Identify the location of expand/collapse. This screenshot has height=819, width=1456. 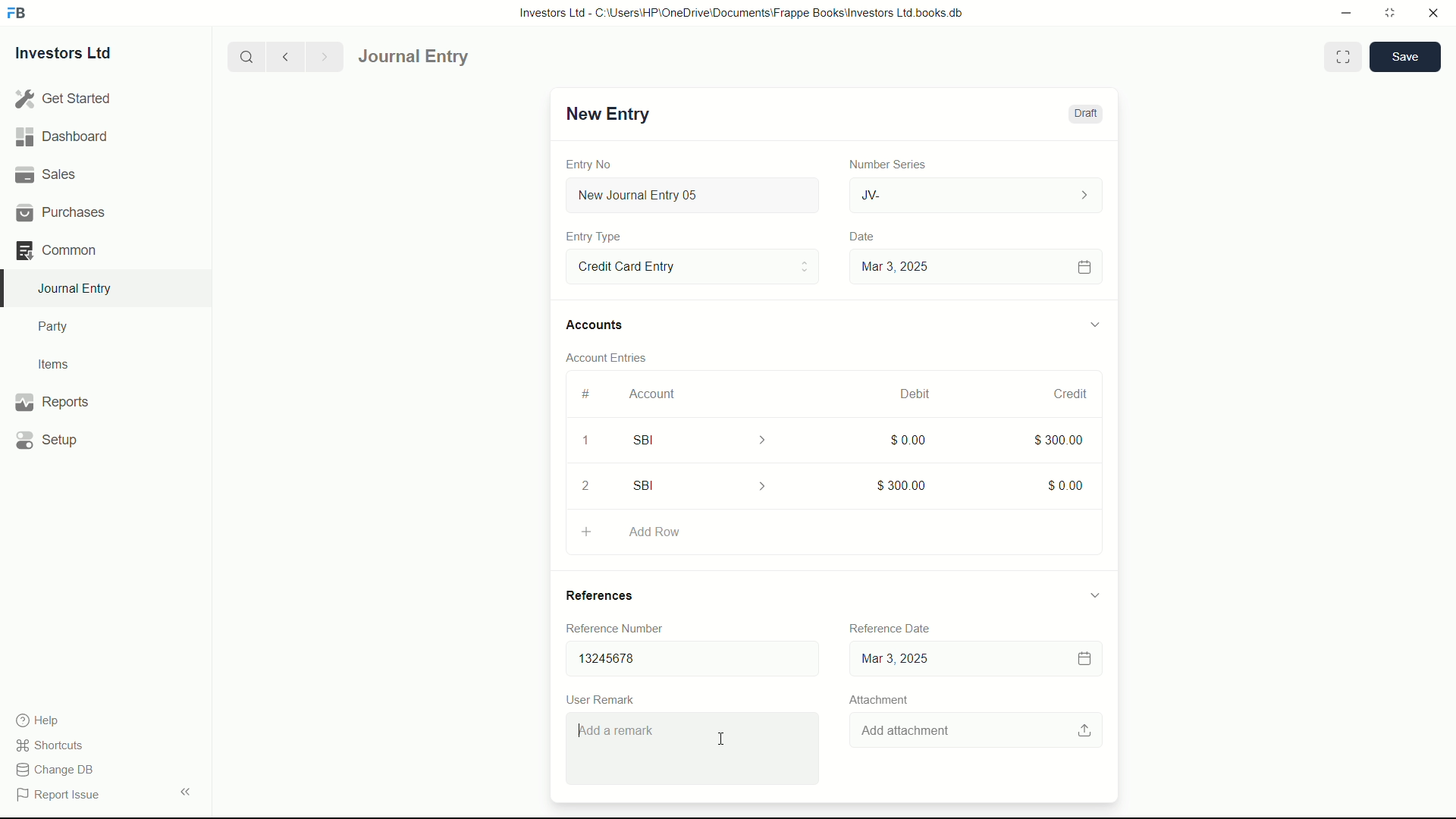
(1094, 322).